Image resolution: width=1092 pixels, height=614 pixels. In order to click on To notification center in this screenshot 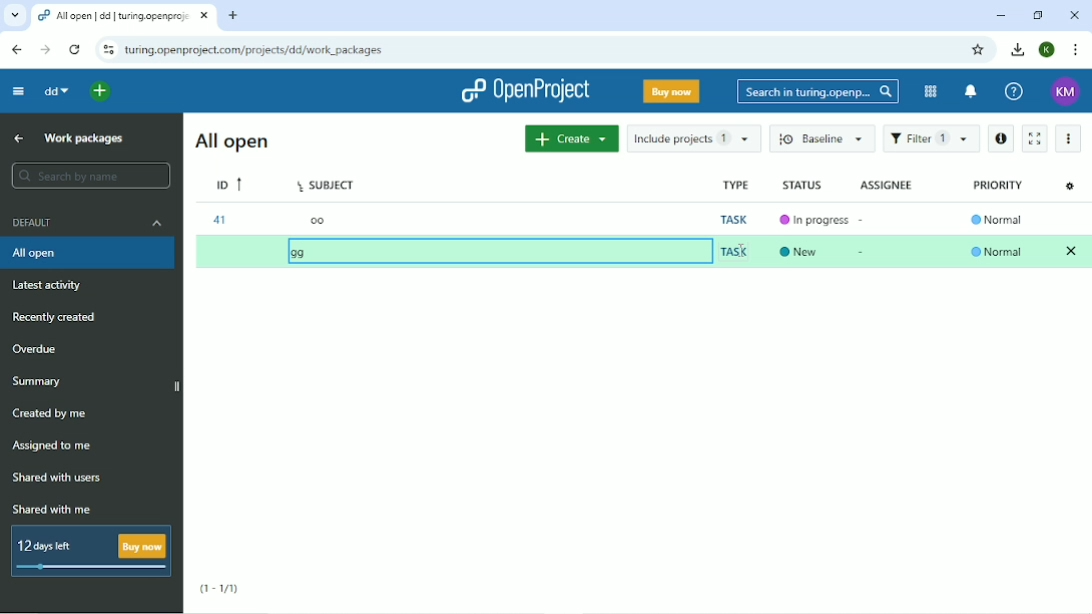, I will do `click(971, 92)`.